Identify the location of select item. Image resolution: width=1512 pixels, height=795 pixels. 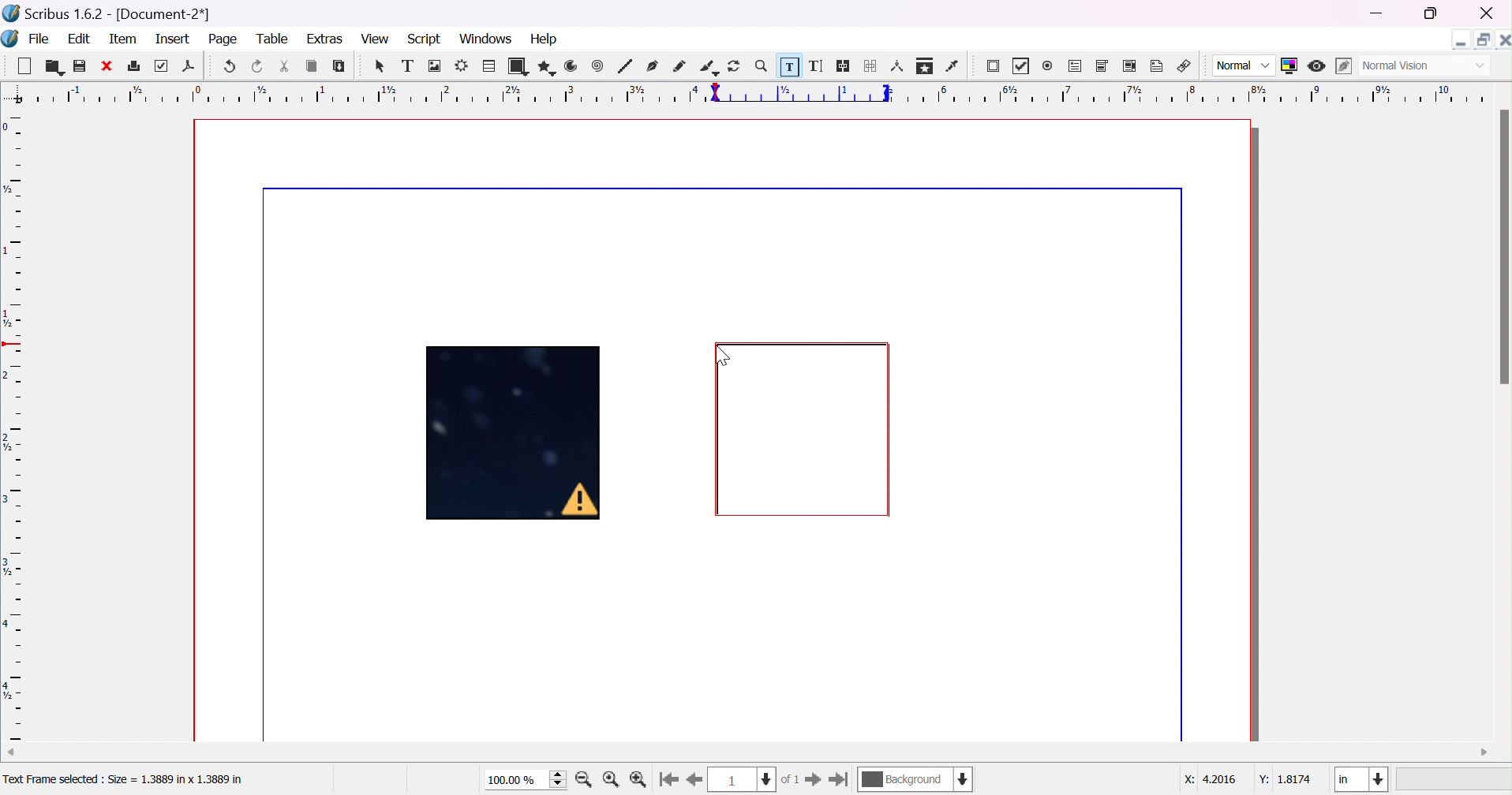
(382, 68).